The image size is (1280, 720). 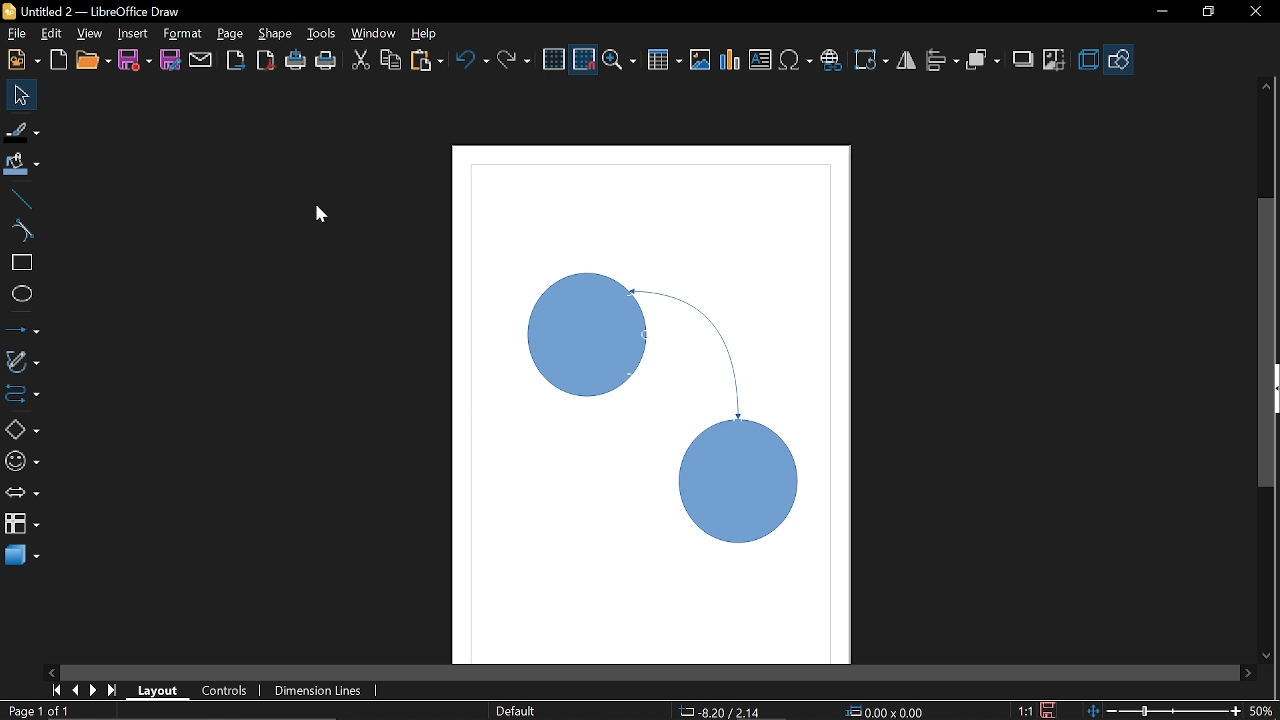 I want to click on COpy, so click(x=390, y=61).